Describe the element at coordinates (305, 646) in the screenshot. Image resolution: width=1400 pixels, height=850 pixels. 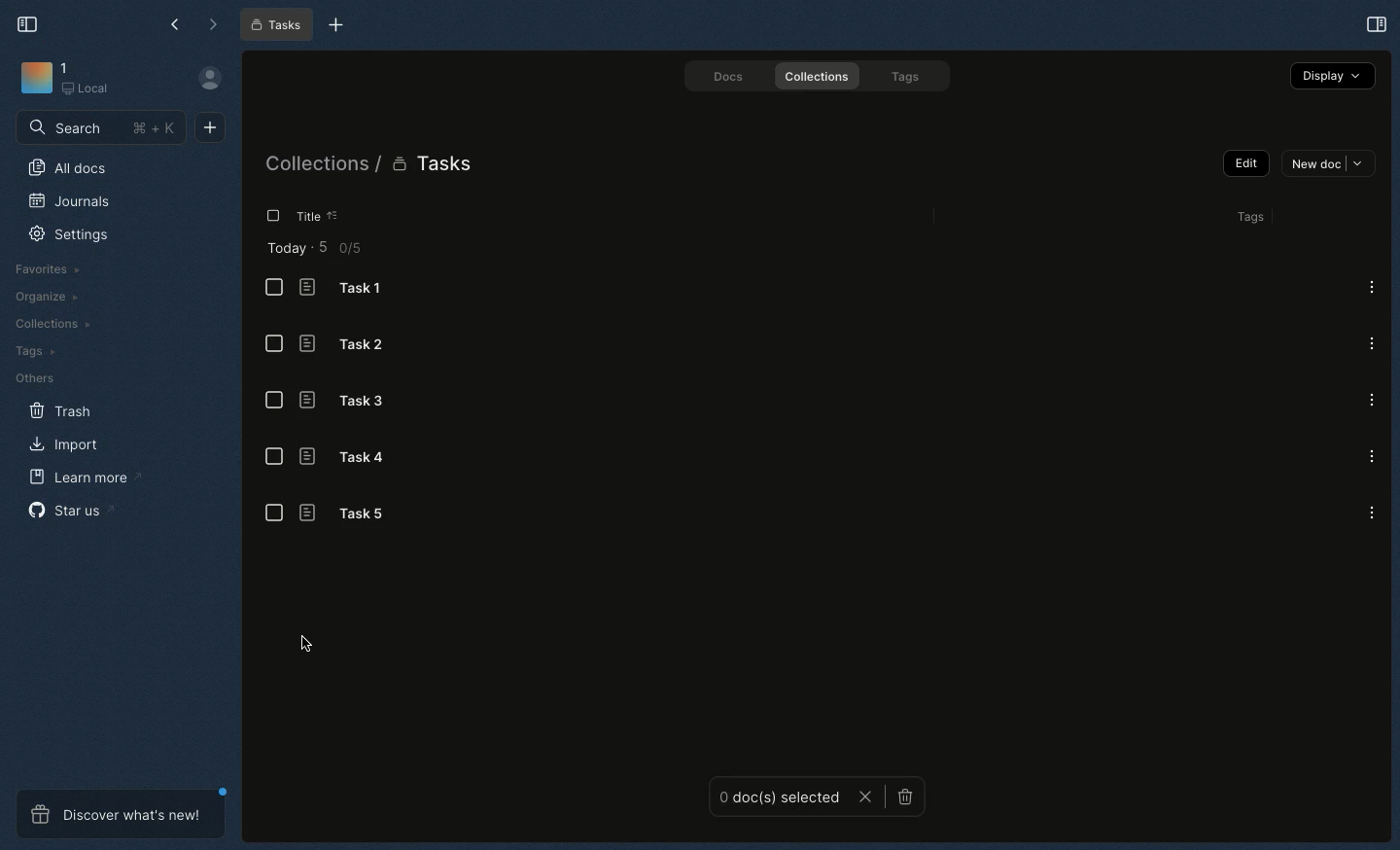
I see `cursor` at that location.